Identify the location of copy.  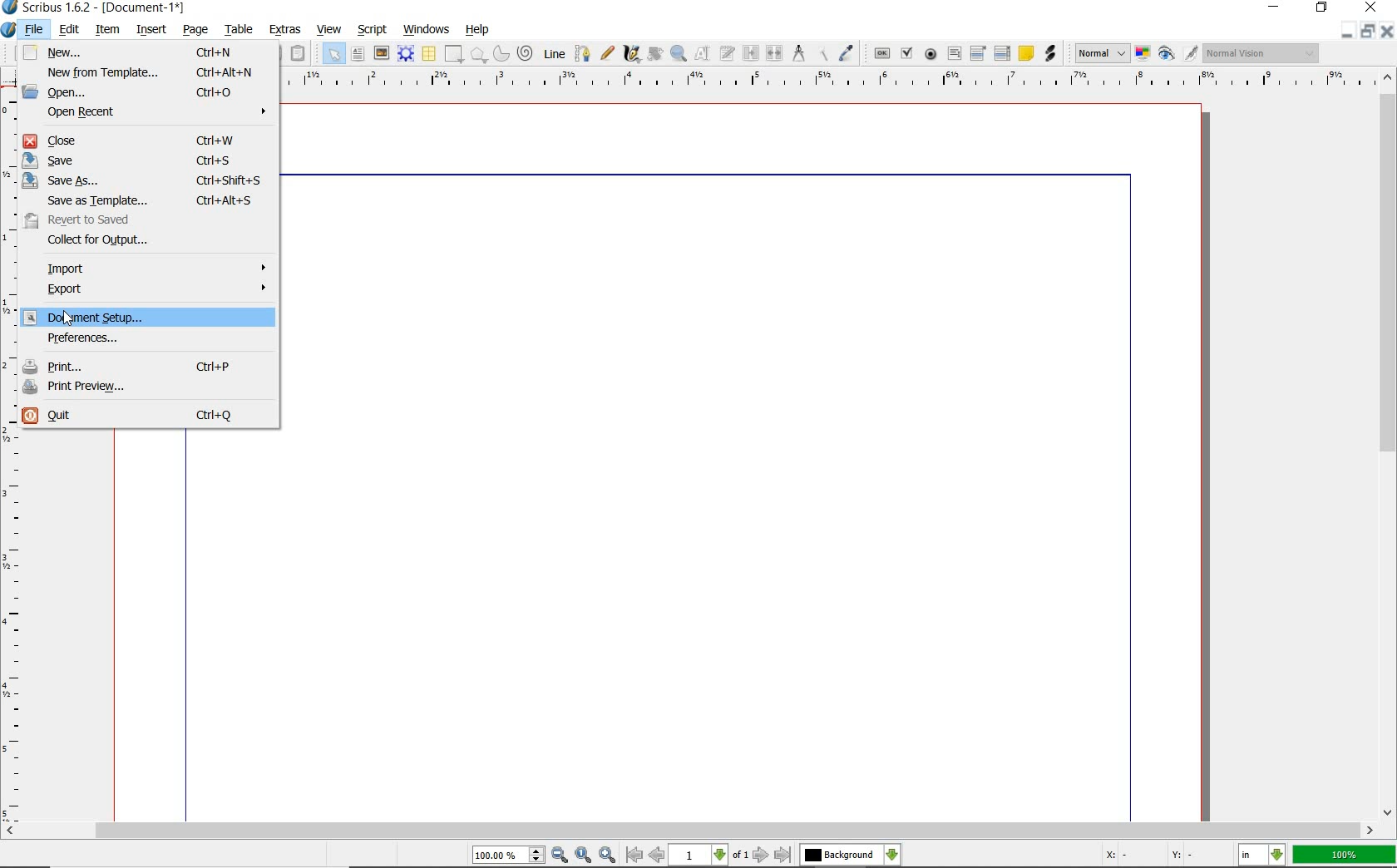
(274, 53).